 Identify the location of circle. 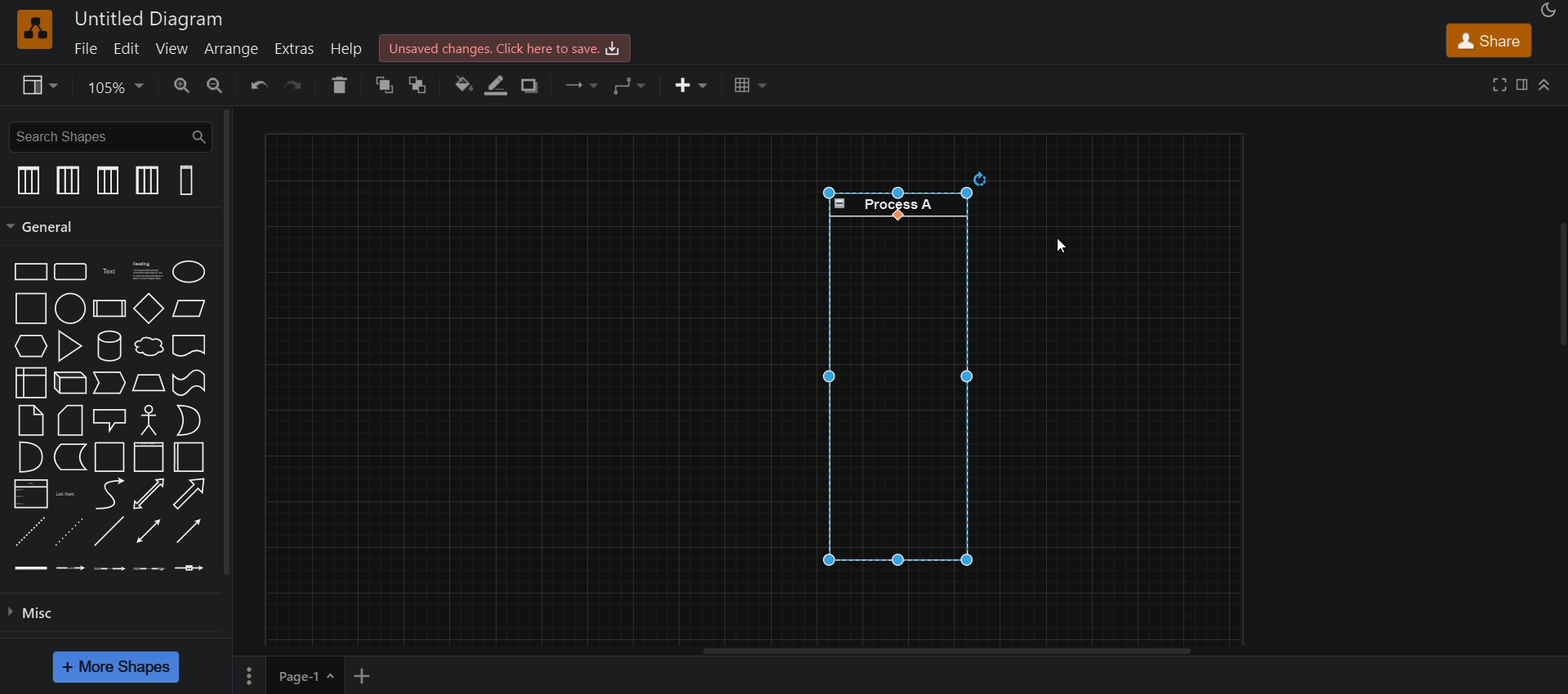
(70, 309).